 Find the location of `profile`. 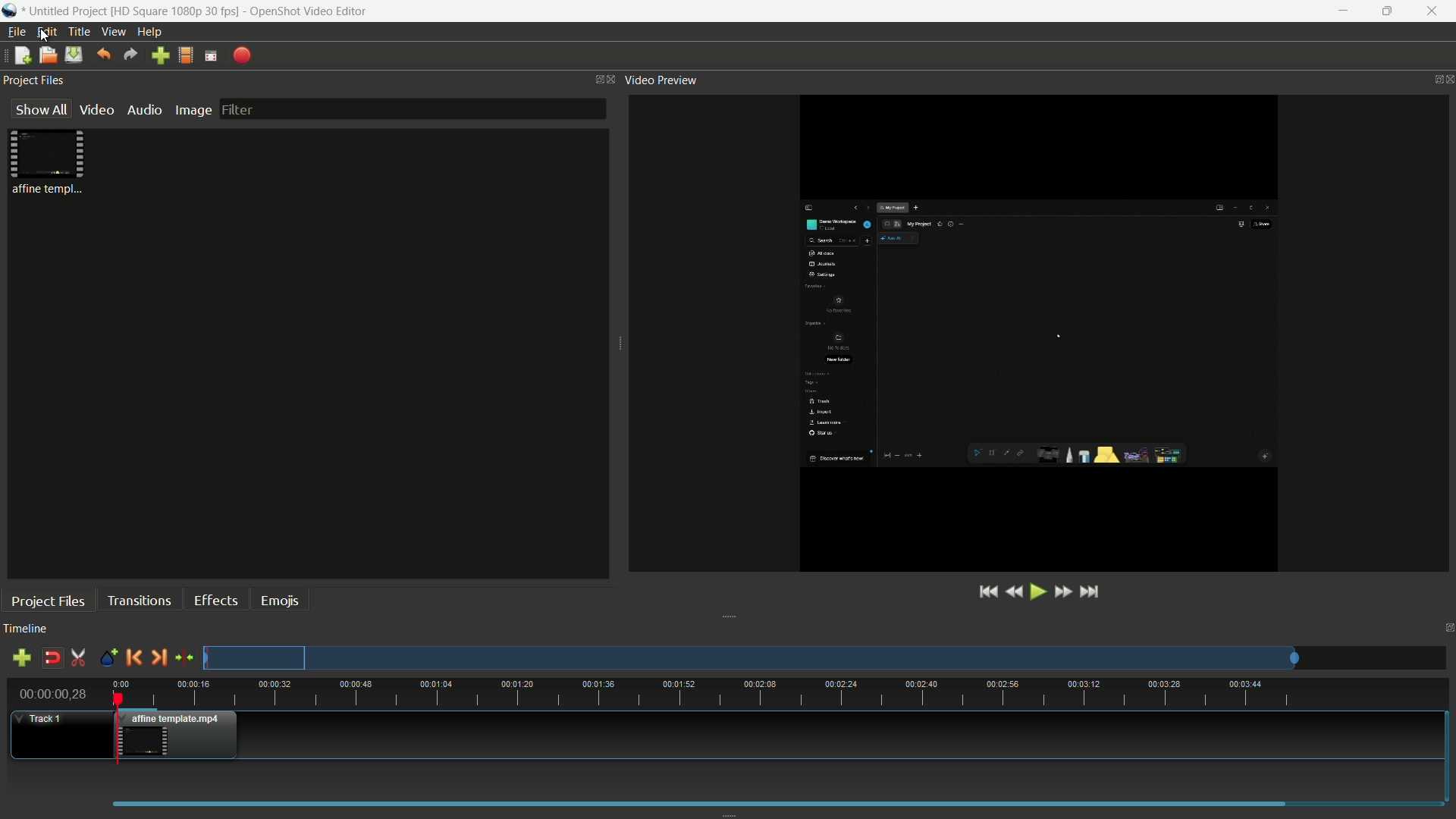

profile is located at coordinates (177, 11).